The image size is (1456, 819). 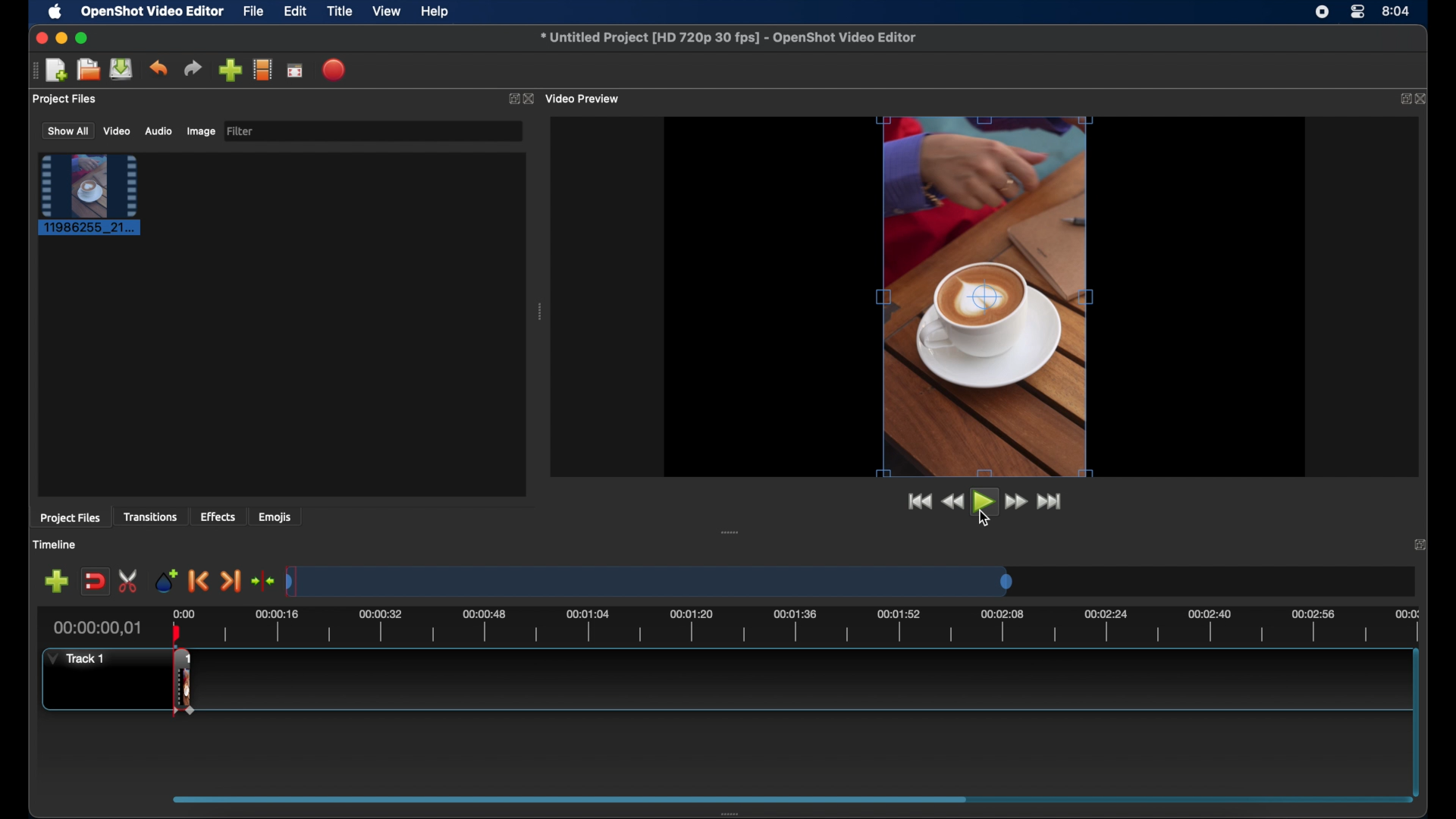 I want to click on video preview, so click(x=585, y=98).